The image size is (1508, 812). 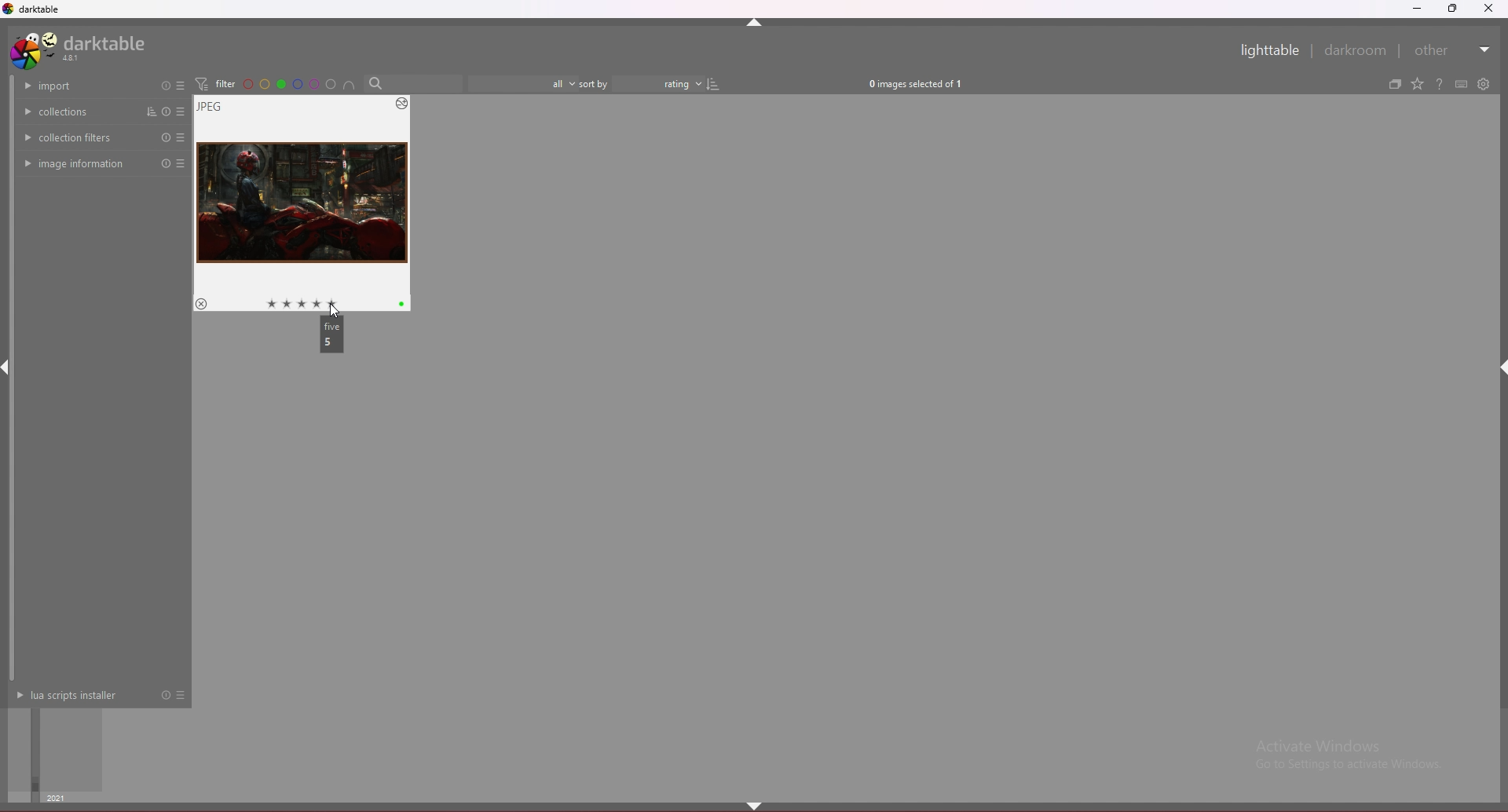 What do you see at coordinates (13, 376) in the screenshot?
I see `scroll bar` at bounding box center [13, 376].